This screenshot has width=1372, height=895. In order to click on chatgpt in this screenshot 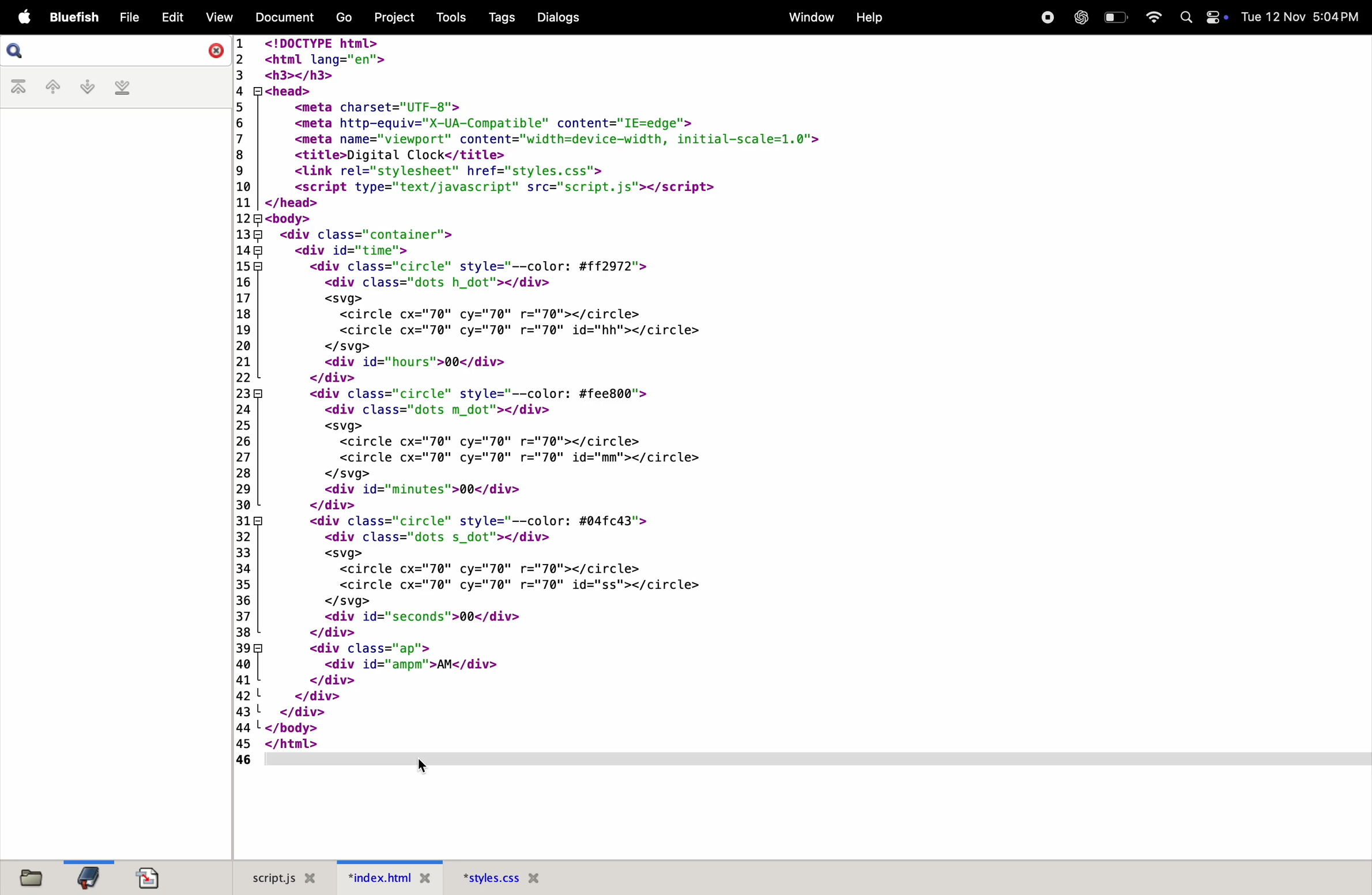, I will do `click(1077, 17)`.